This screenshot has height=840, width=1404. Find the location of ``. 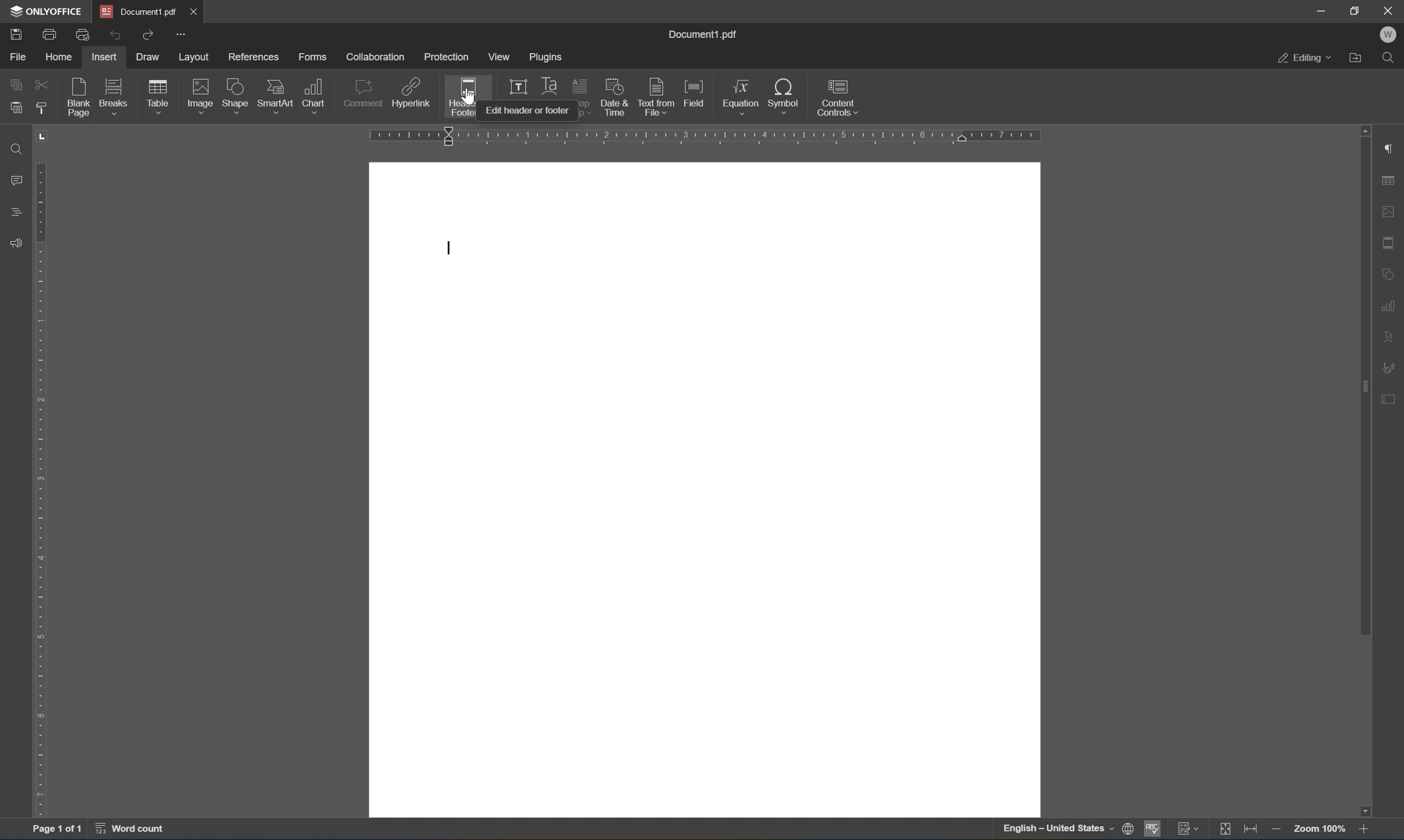

 is located at coordinates (1371, 809).